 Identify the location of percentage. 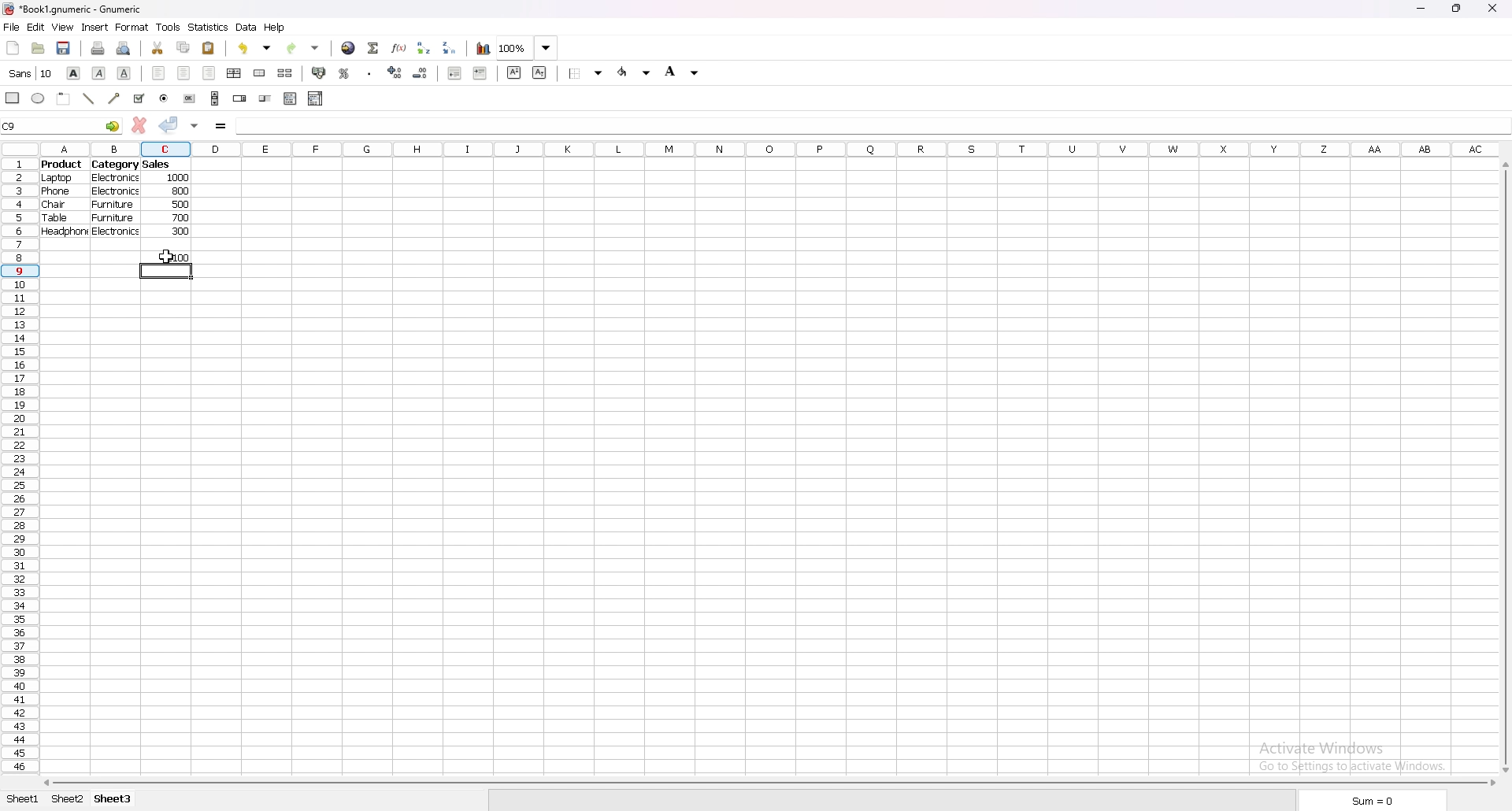
(344, 72).